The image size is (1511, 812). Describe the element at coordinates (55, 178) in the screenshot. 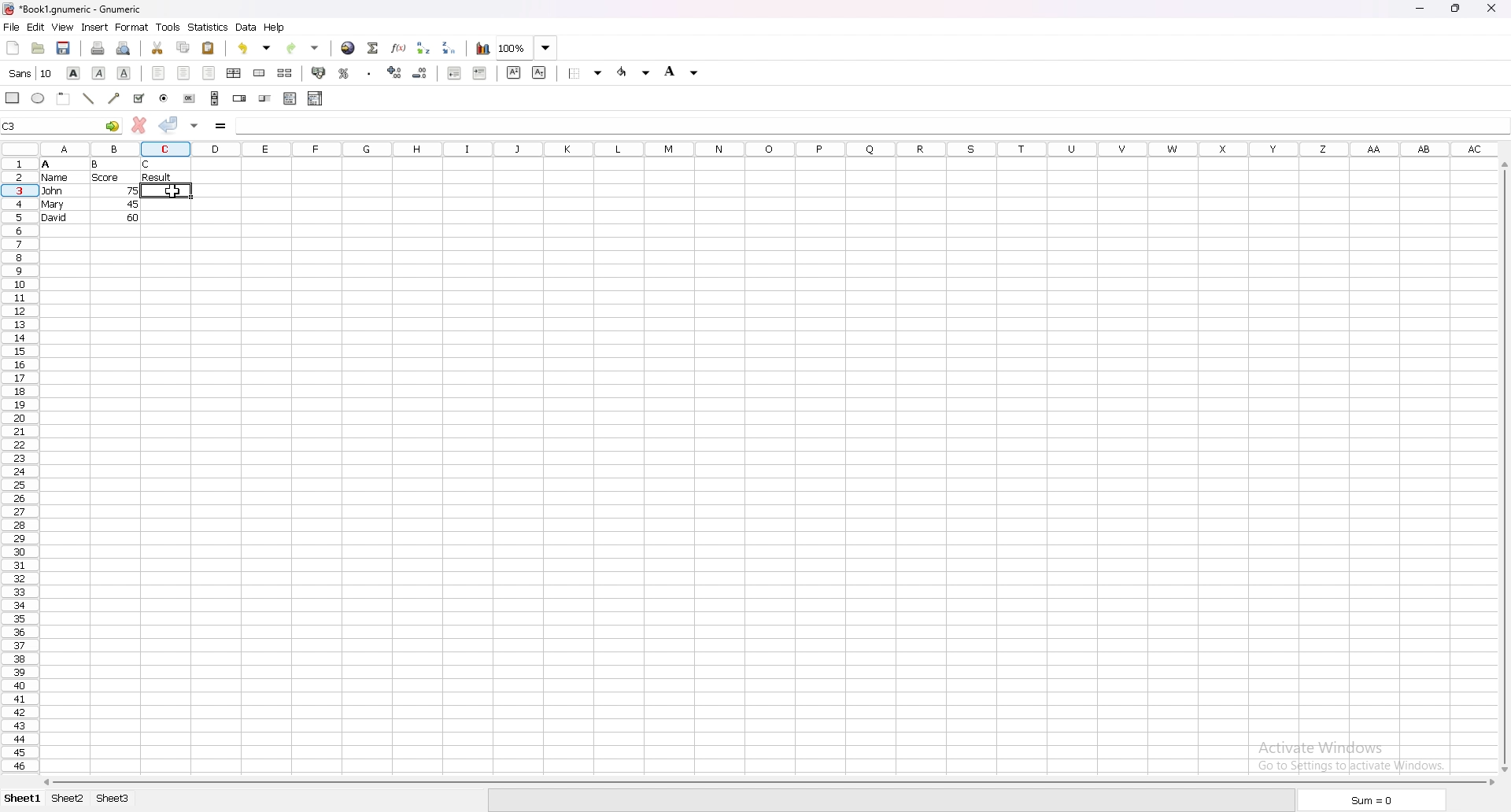

I see `name` at that location.